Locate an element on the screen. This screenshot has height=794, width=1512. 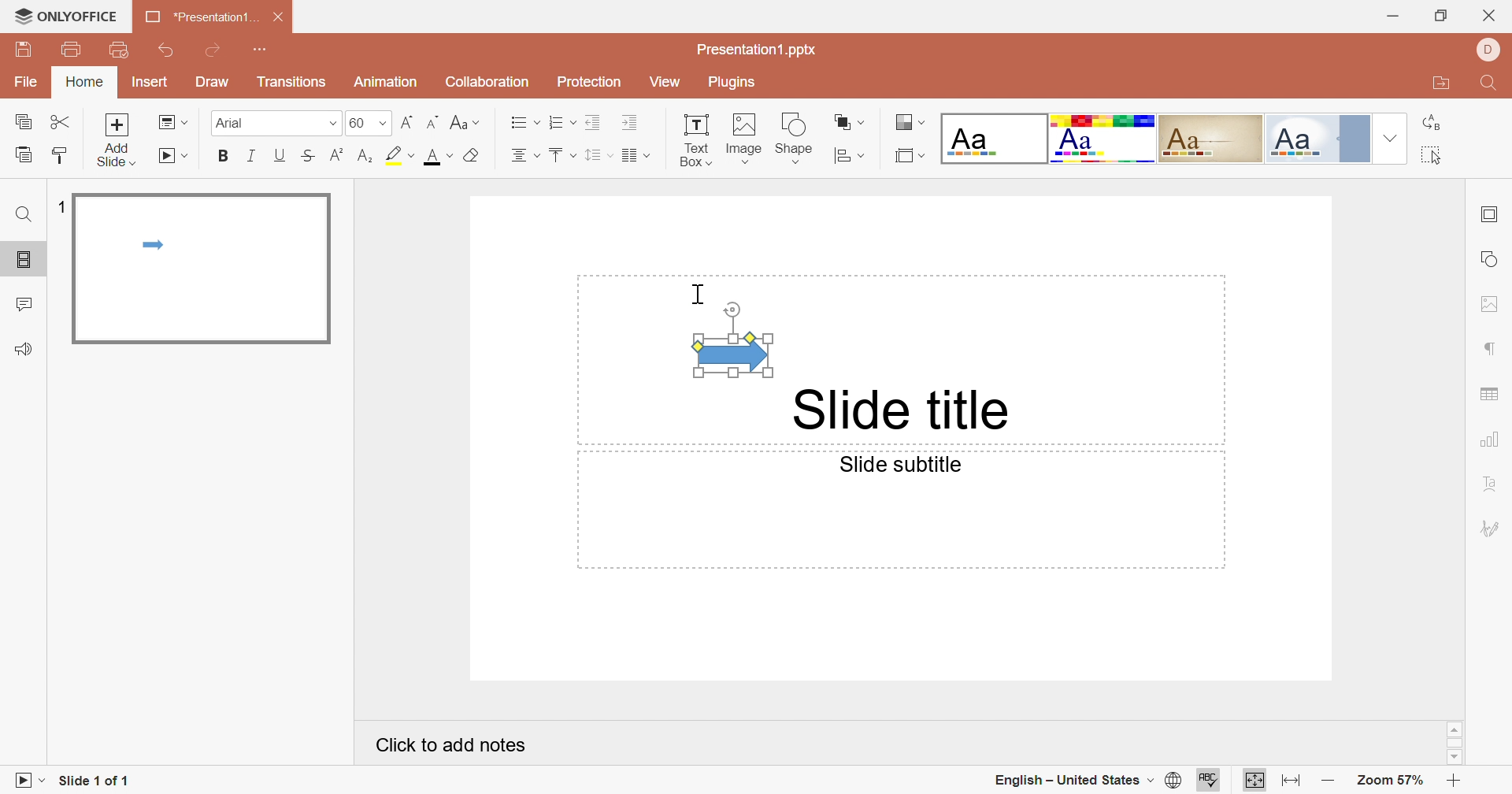
Change case is located at coordinates (463, 123).